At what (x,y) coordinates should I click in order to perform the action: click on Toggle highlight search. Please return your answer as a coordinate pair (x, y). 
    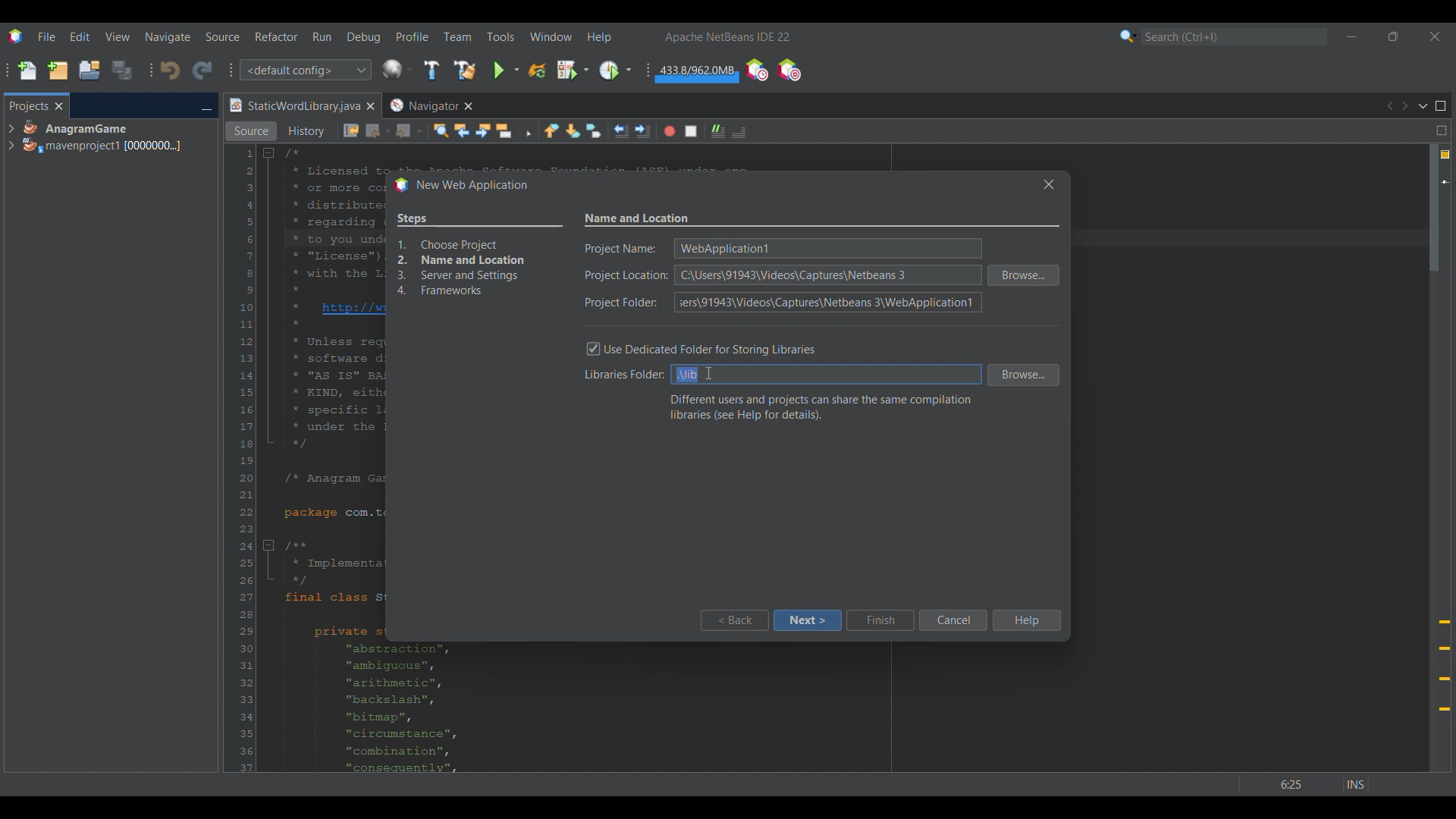
    Looking at the image, I should click on (504, 130).